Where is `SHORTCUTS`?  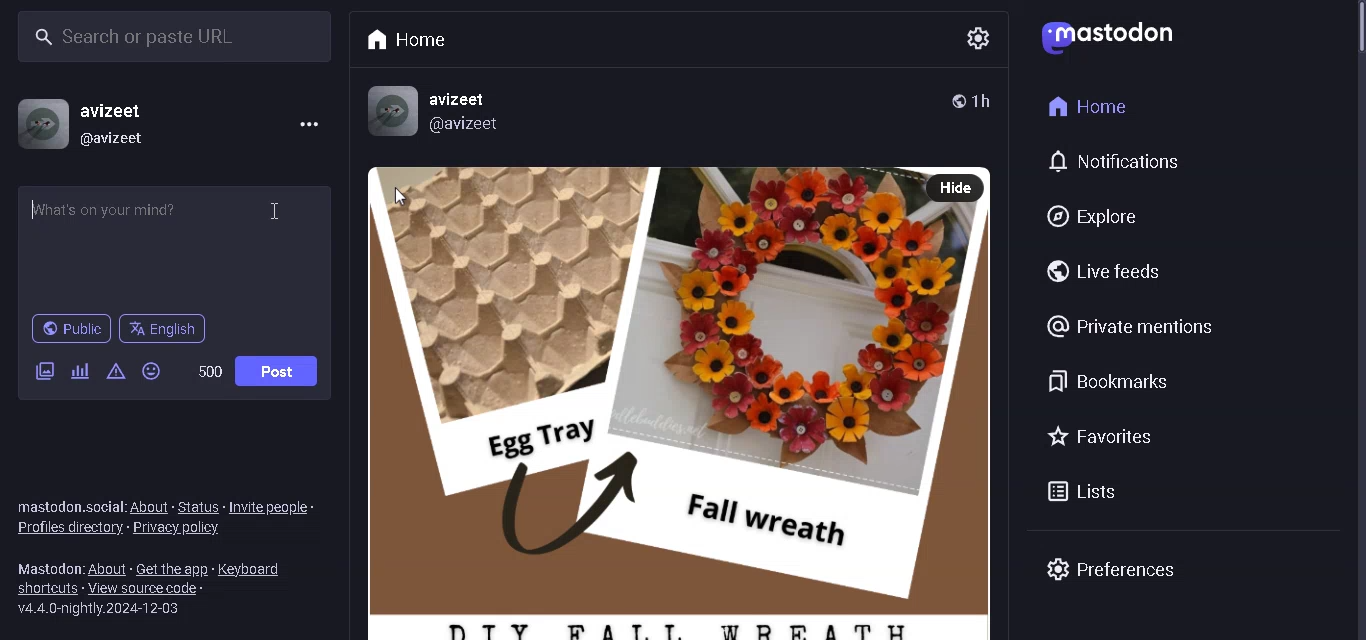 SHORTCUTS is located at coordinates (47, 590).